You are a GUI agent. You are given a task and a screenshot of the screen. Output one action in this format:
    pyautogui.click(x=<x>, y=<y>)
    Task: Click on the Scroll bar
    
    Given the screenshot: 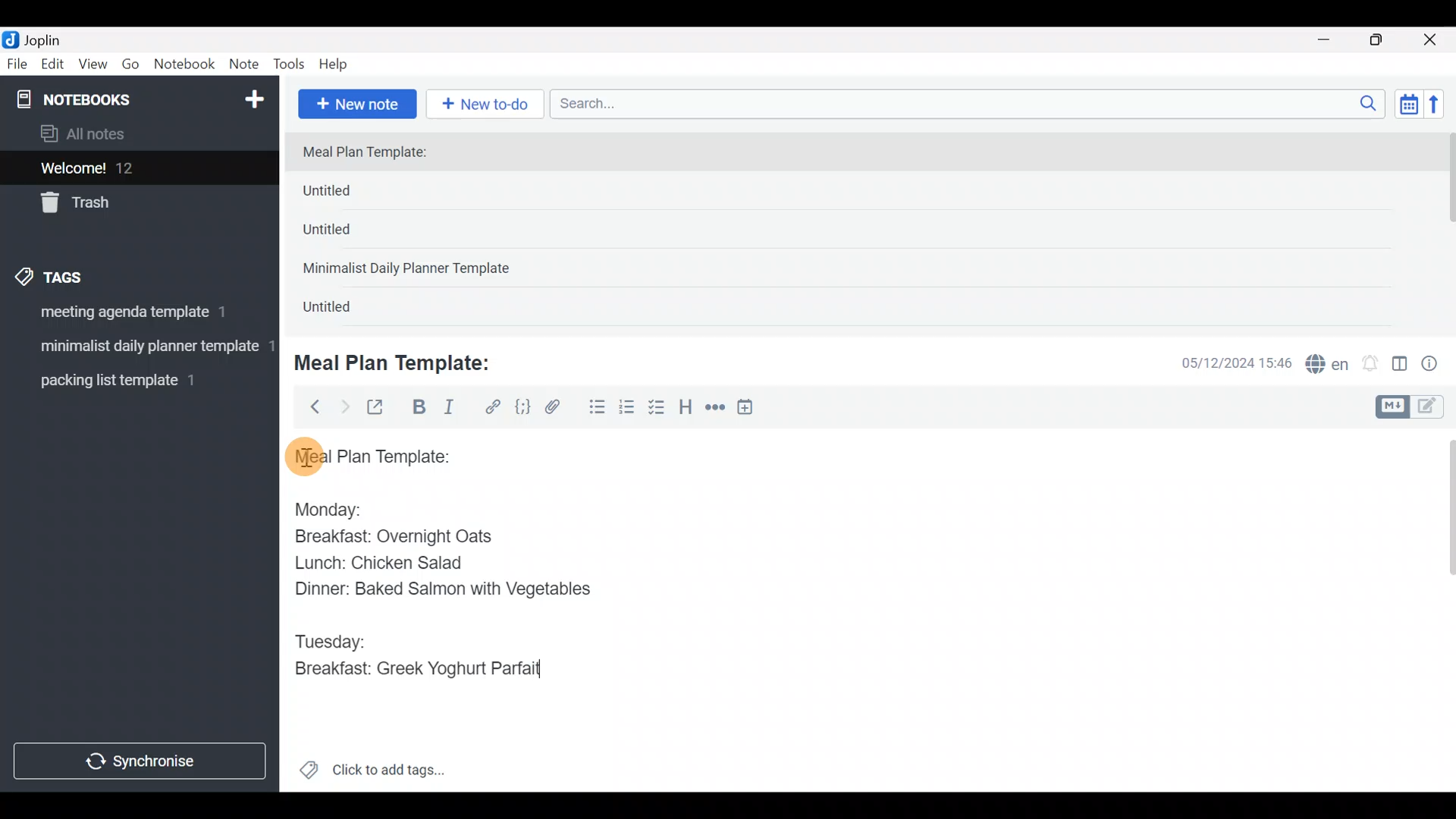 What is the action you would take?
    pyautogui.click(x=1440, y=610)
    